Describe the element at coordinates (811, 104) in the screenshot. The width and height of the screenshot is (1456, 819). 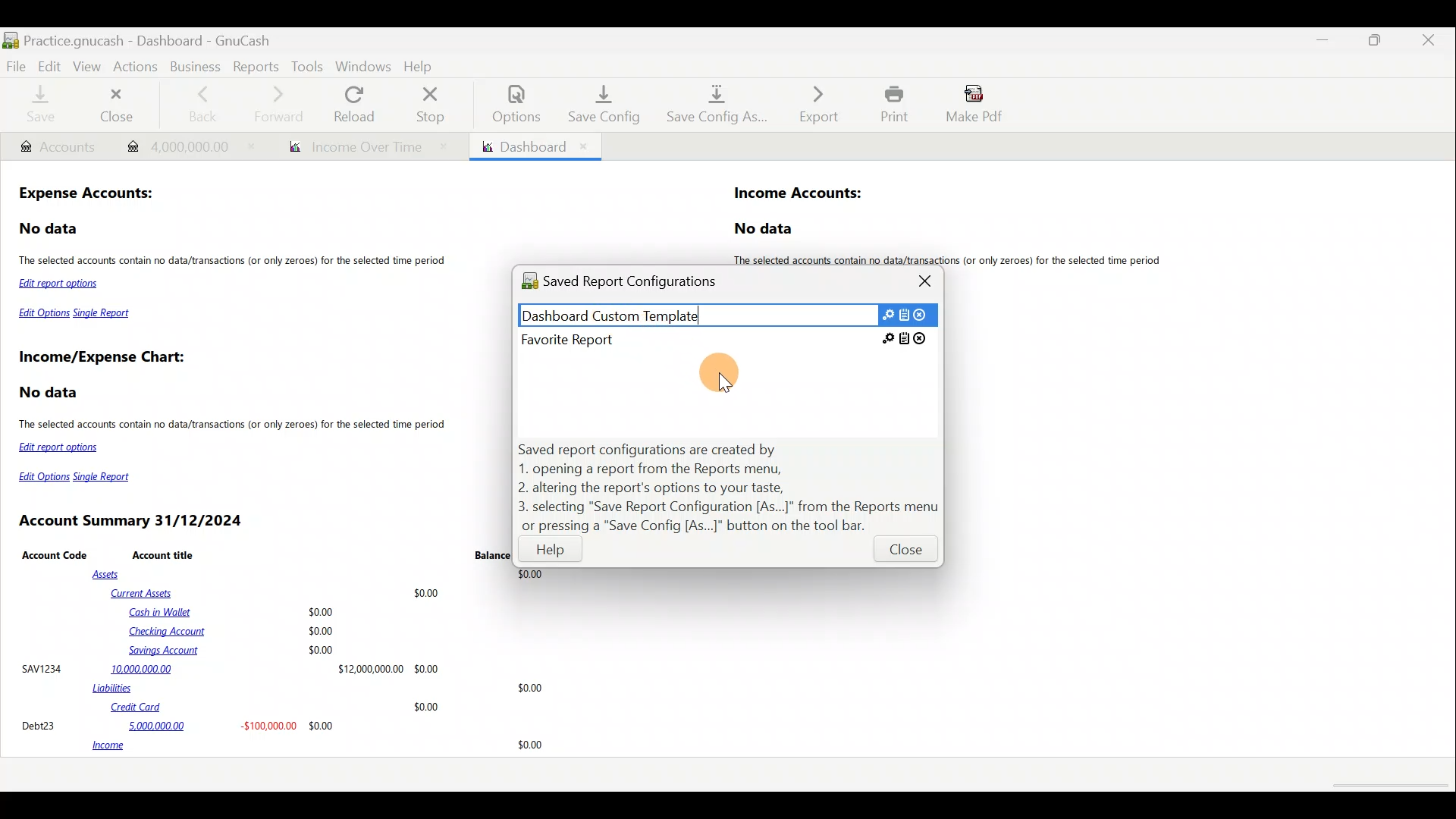
I see `Export` at that location.